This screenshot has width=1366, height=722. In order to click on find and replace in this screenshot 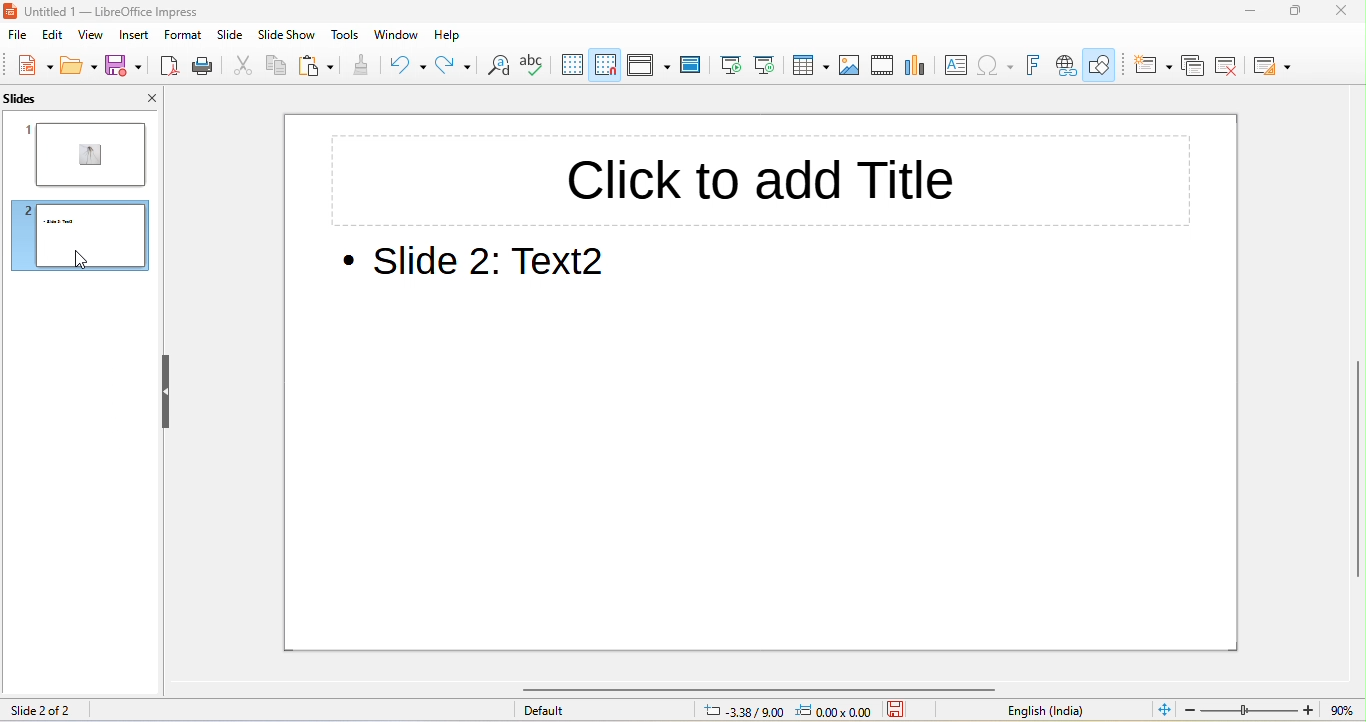, I will do `click(502, 67)`.